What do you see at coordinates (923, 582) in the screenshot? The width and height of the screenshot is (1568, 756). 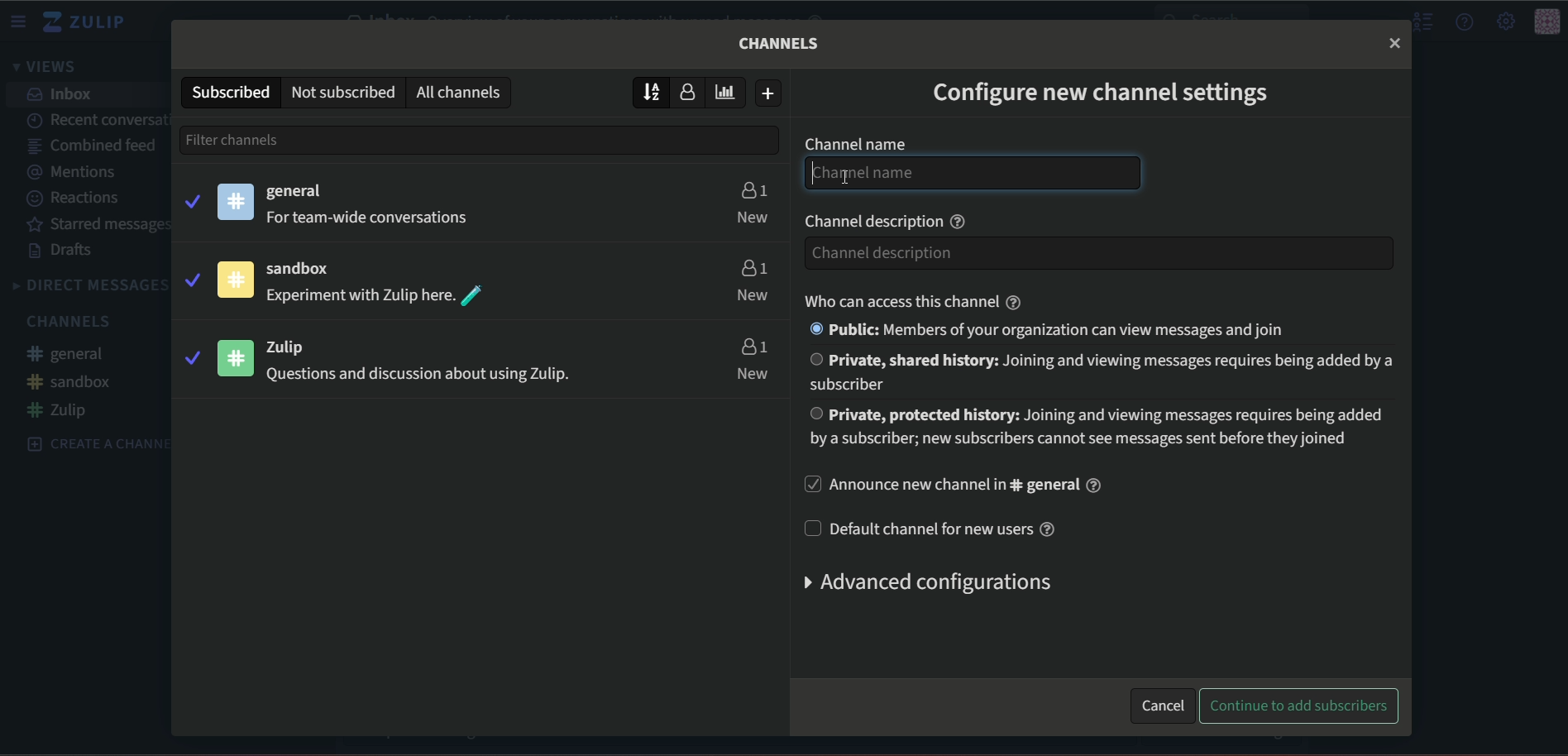 I see `Advanced configurations` at bounding box center [923, 582].